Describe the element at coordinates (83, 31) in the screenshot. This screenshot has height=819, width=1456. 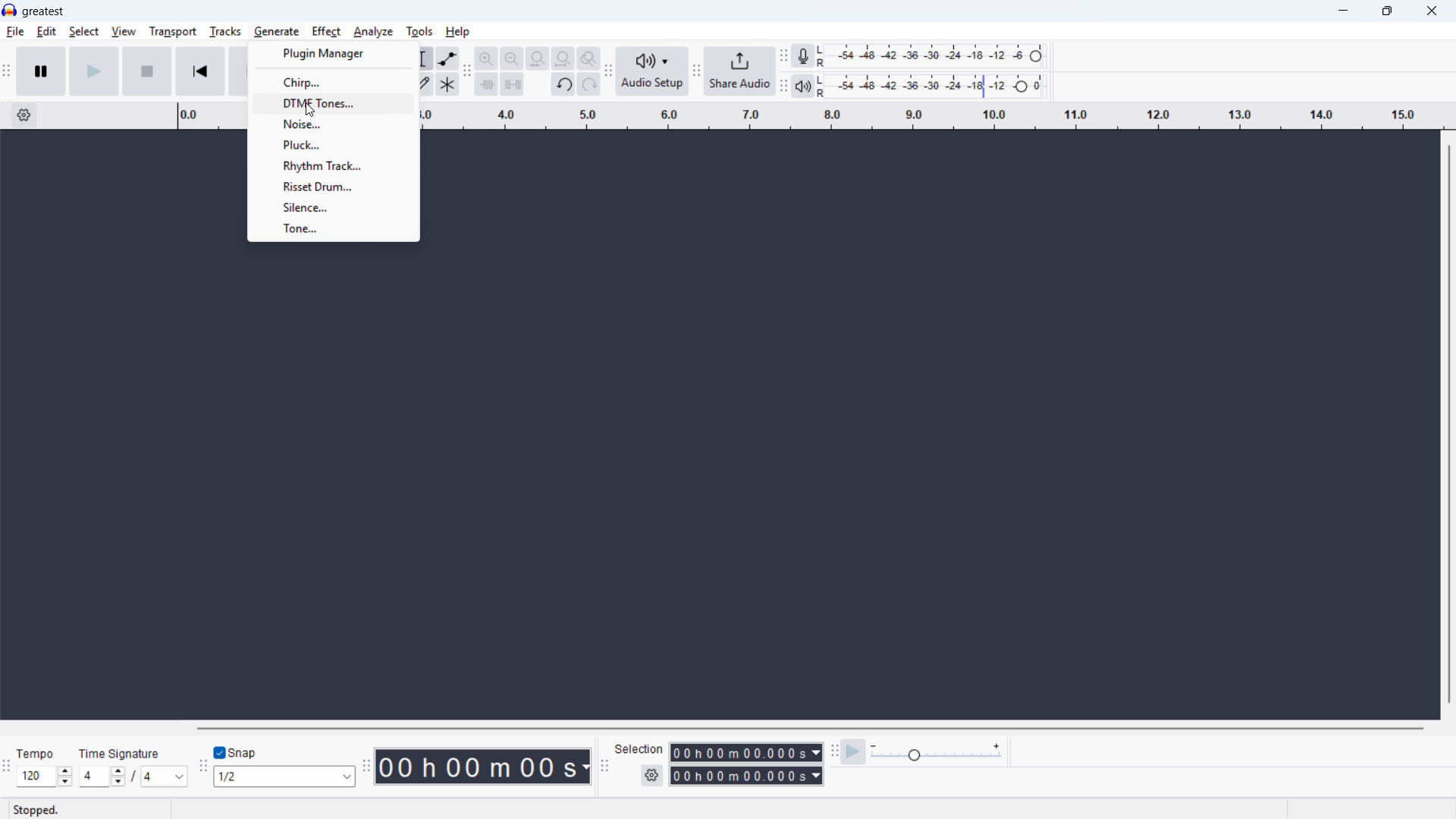
I see `select` at that location.